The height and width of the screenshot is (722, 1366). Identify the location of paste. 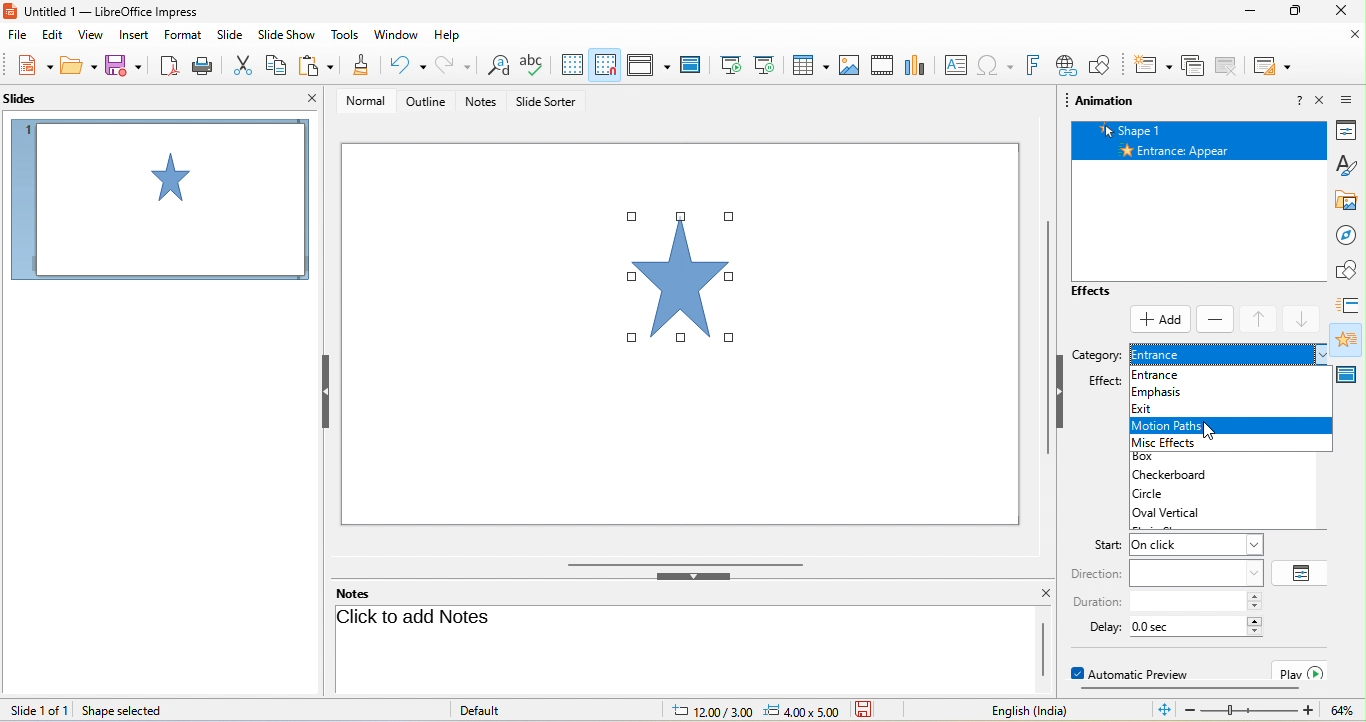
(317, 65).